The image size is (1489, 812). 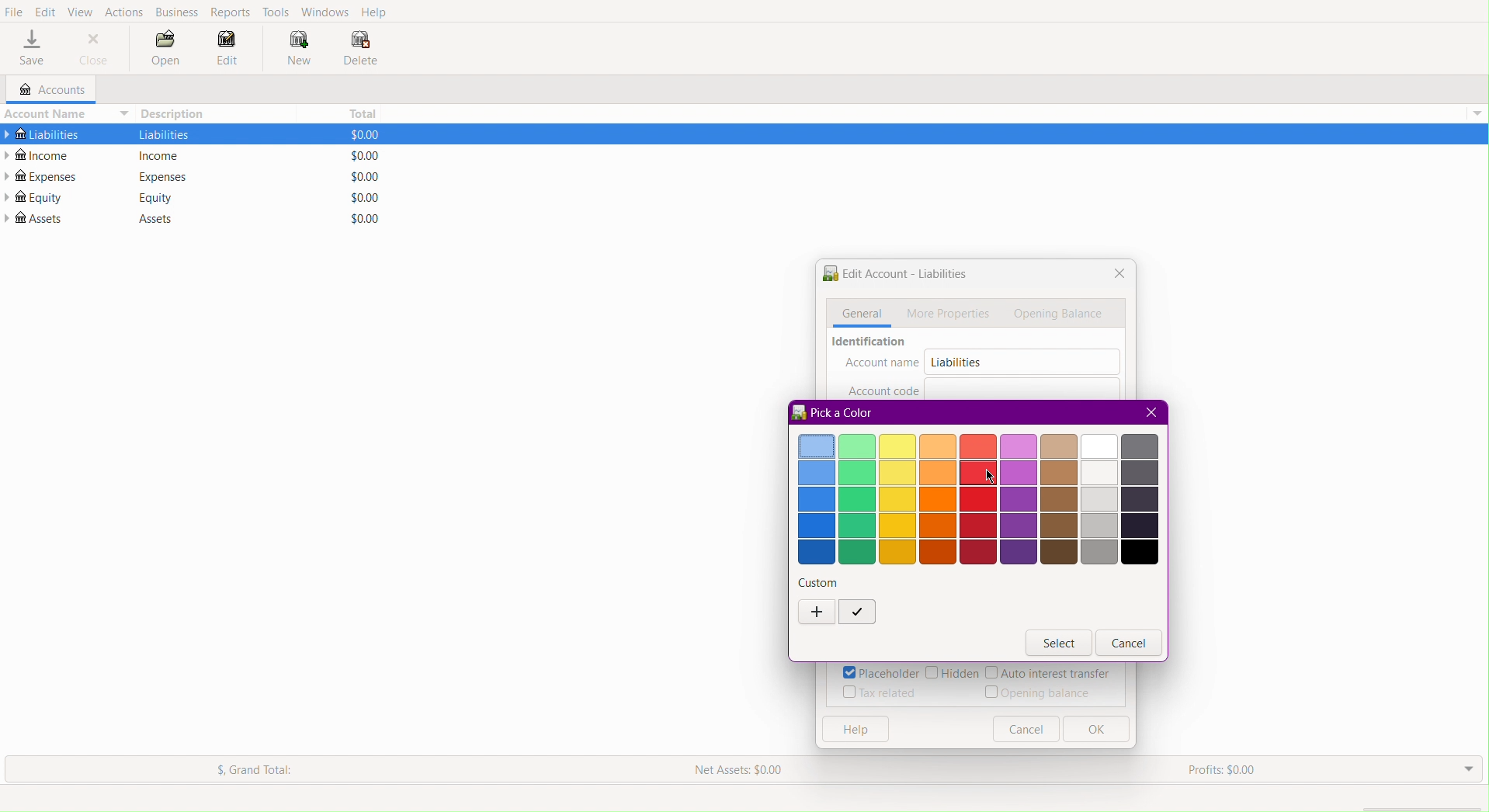 I want to click on Hidden, so click(x=952, y=674).